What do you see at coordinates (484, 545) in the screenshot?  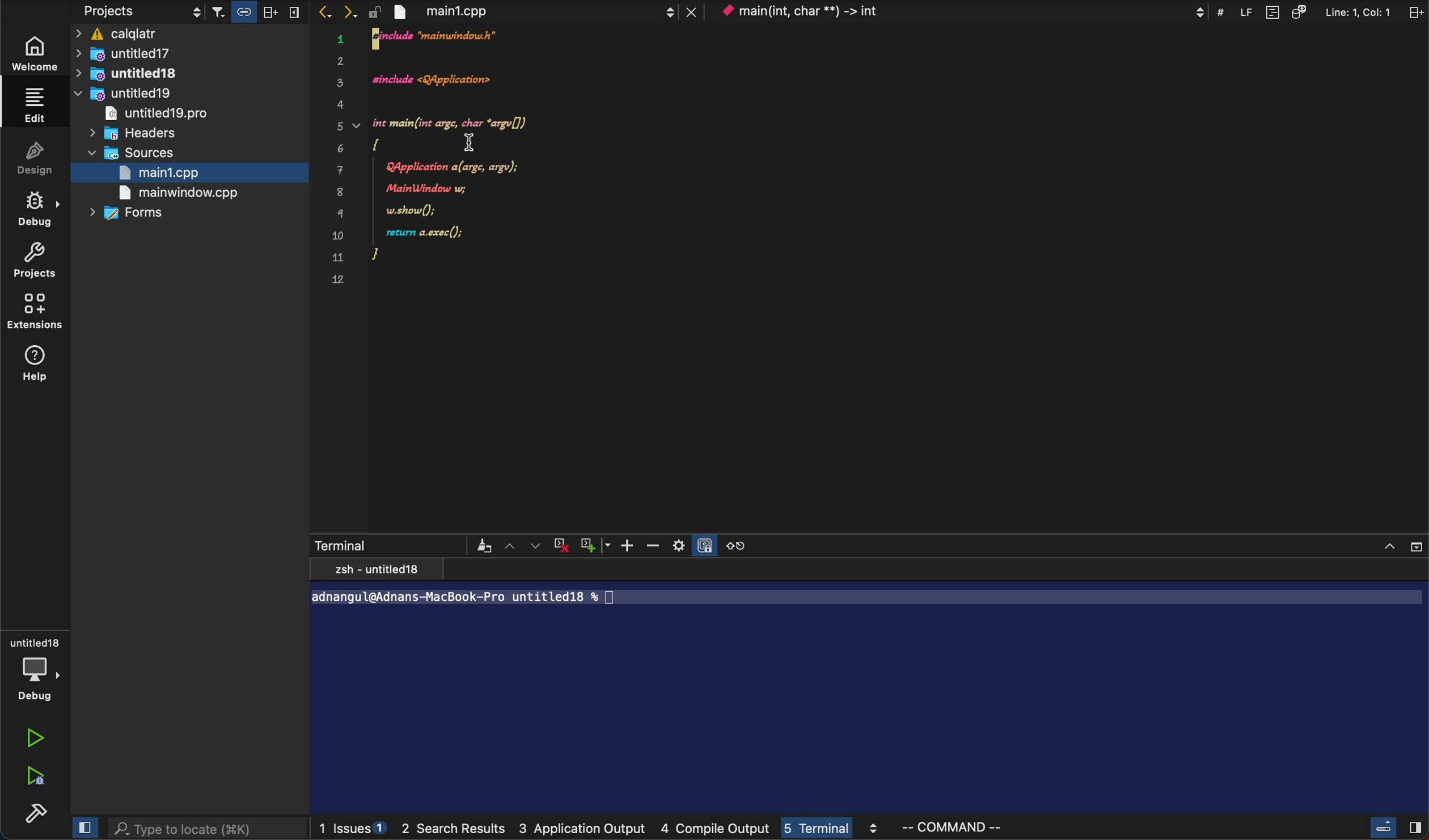 I see `filter` at bounding box center [484, 545].